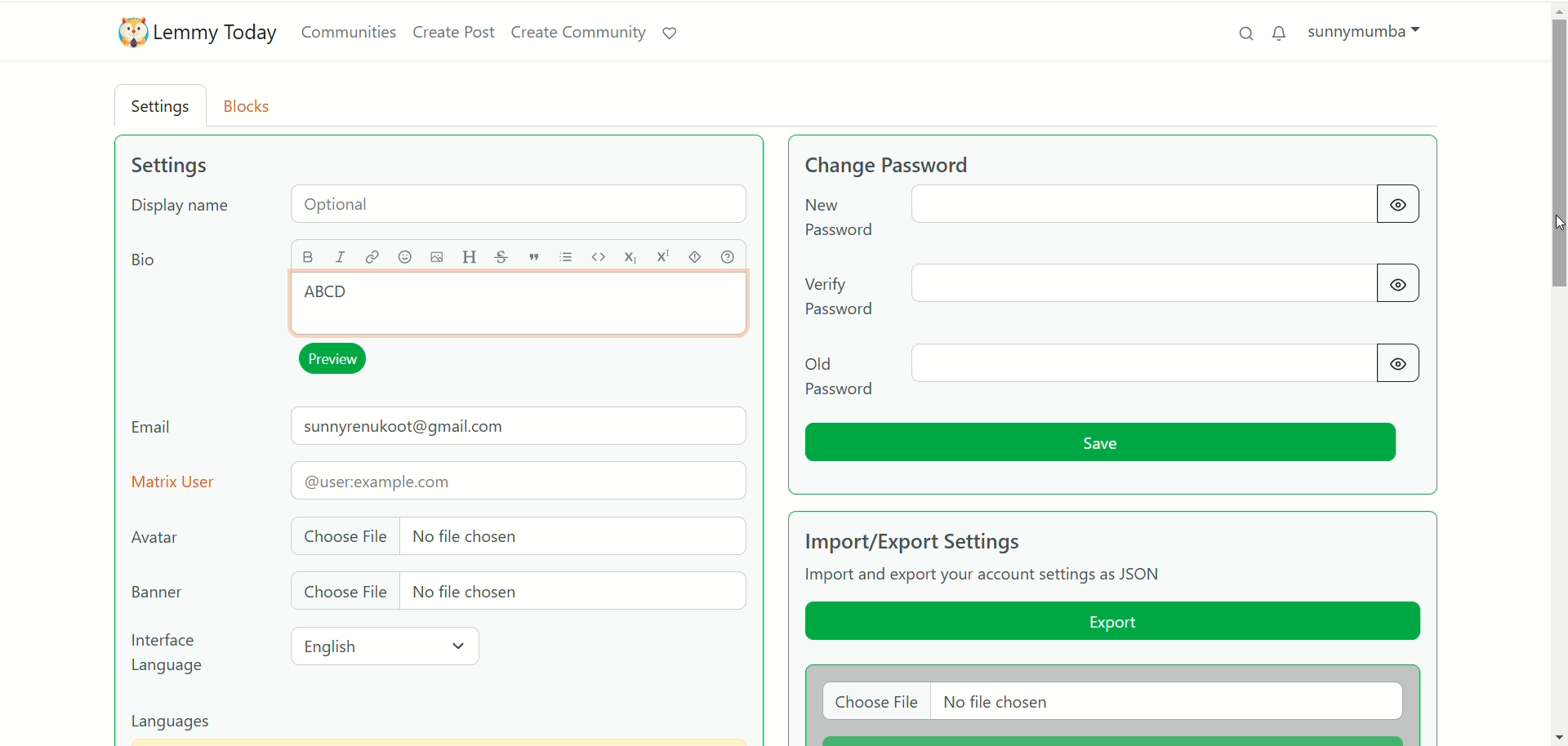 The image size is (1568, 746). What do you see at coordinates (675, 34) in the screenshot?
I see `support lemmy` at bounding box center [675, 34].